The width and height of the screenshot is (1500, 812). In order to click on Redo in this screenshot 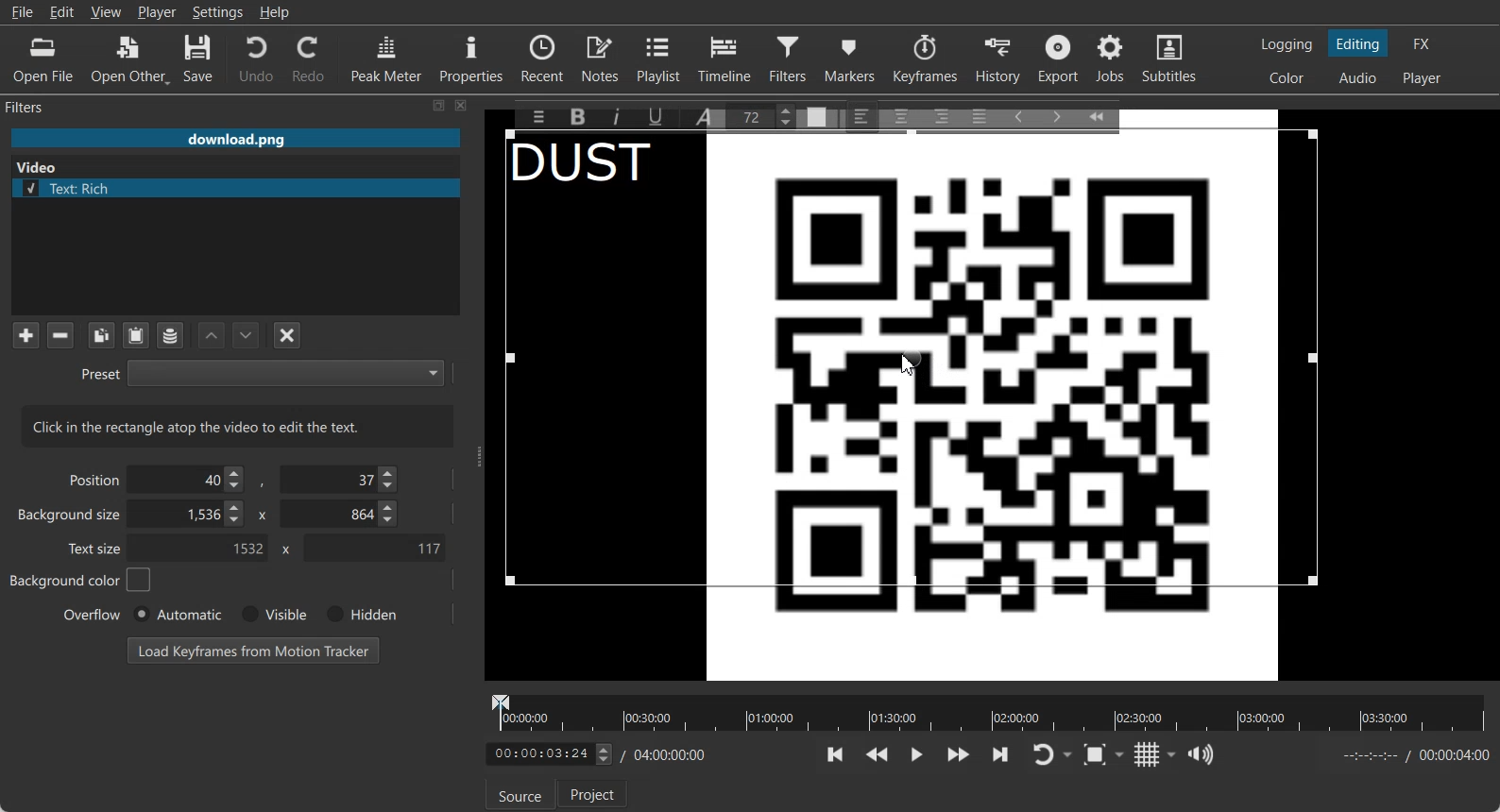, I will do `click(310, 59)`.